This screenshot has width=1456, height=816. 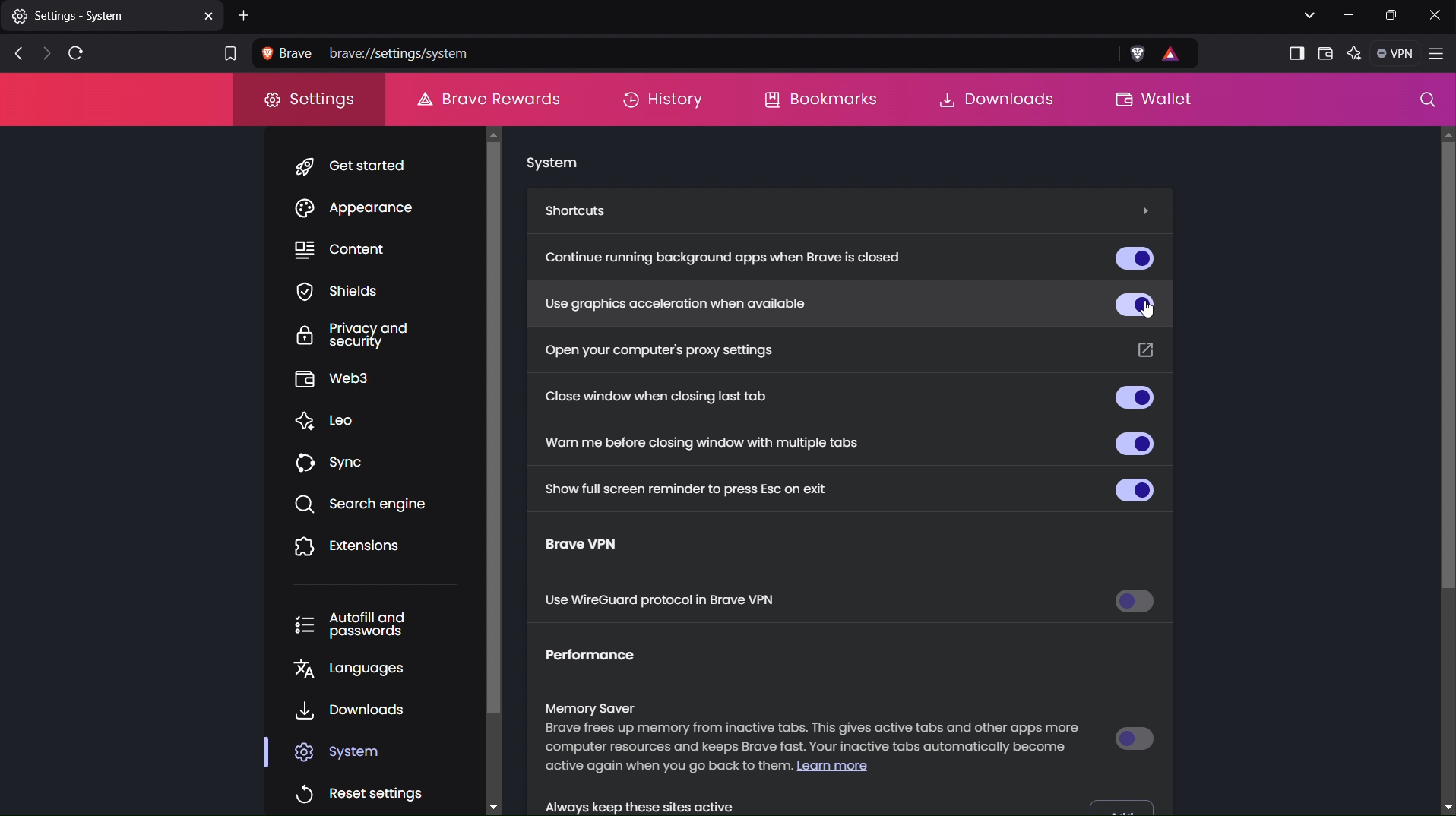 What do you see at coordinates (79, 52) in the screenshot?
I see `Refresh` at bounding box center [79, 52].